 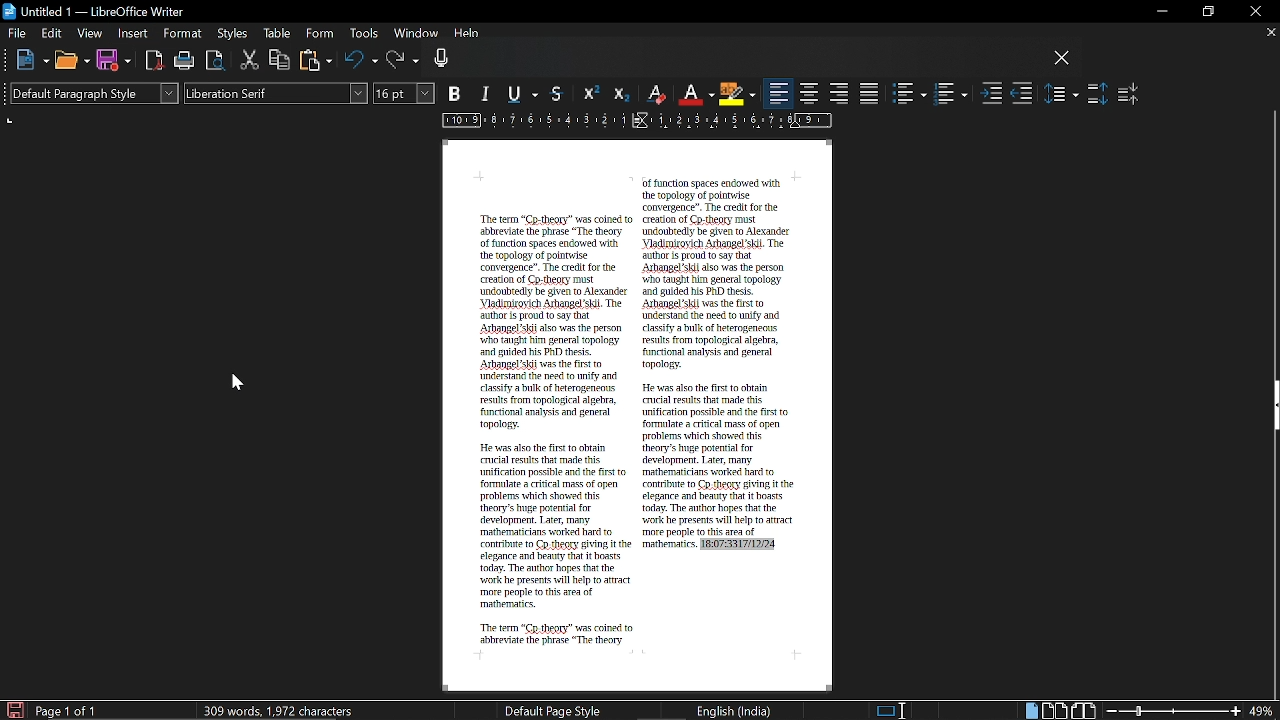 I want to click on VOice input, so click(x=739, y=61).